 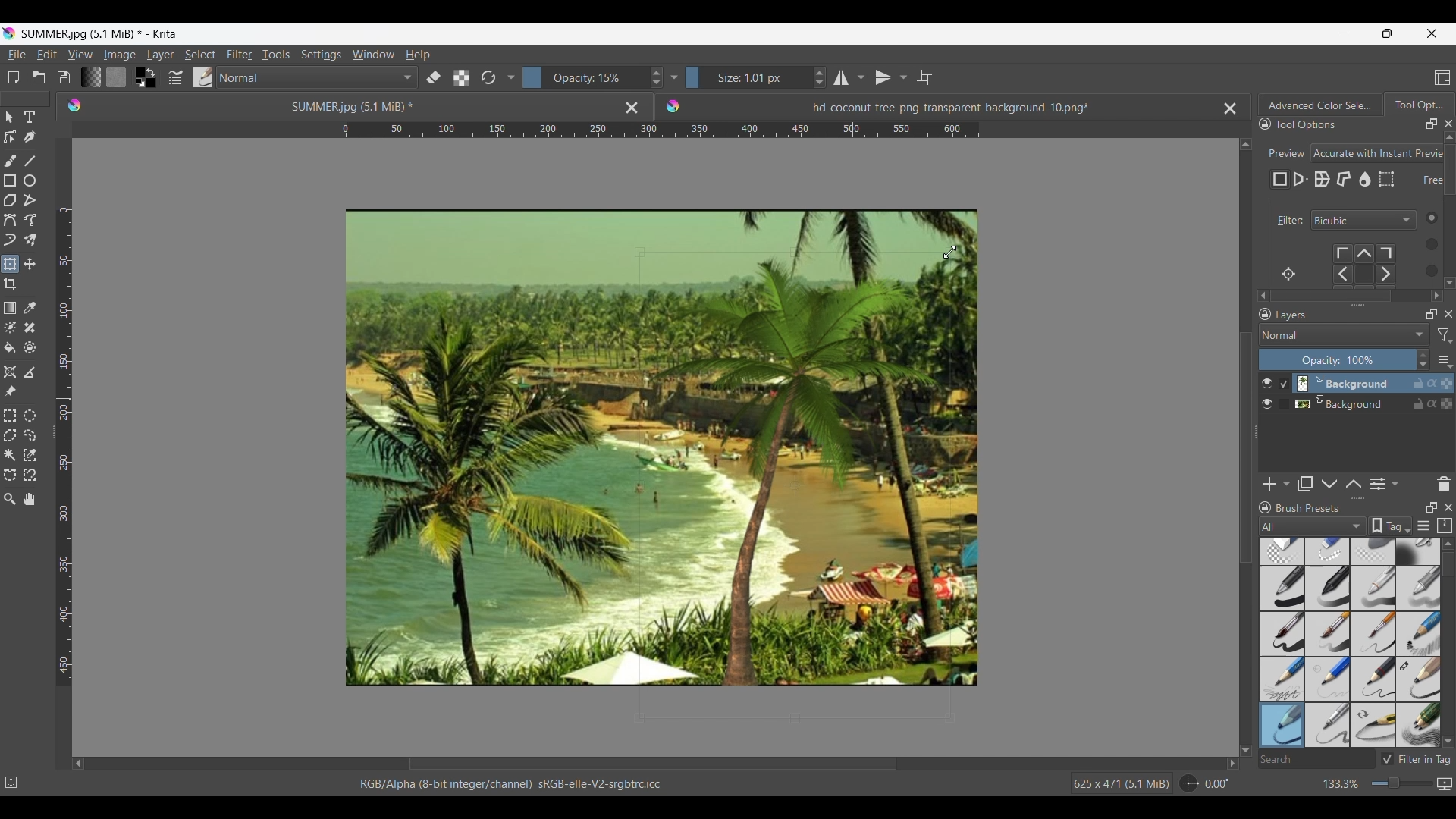 I want to click on Consolidated toolbar, so click(x=510, y=77).